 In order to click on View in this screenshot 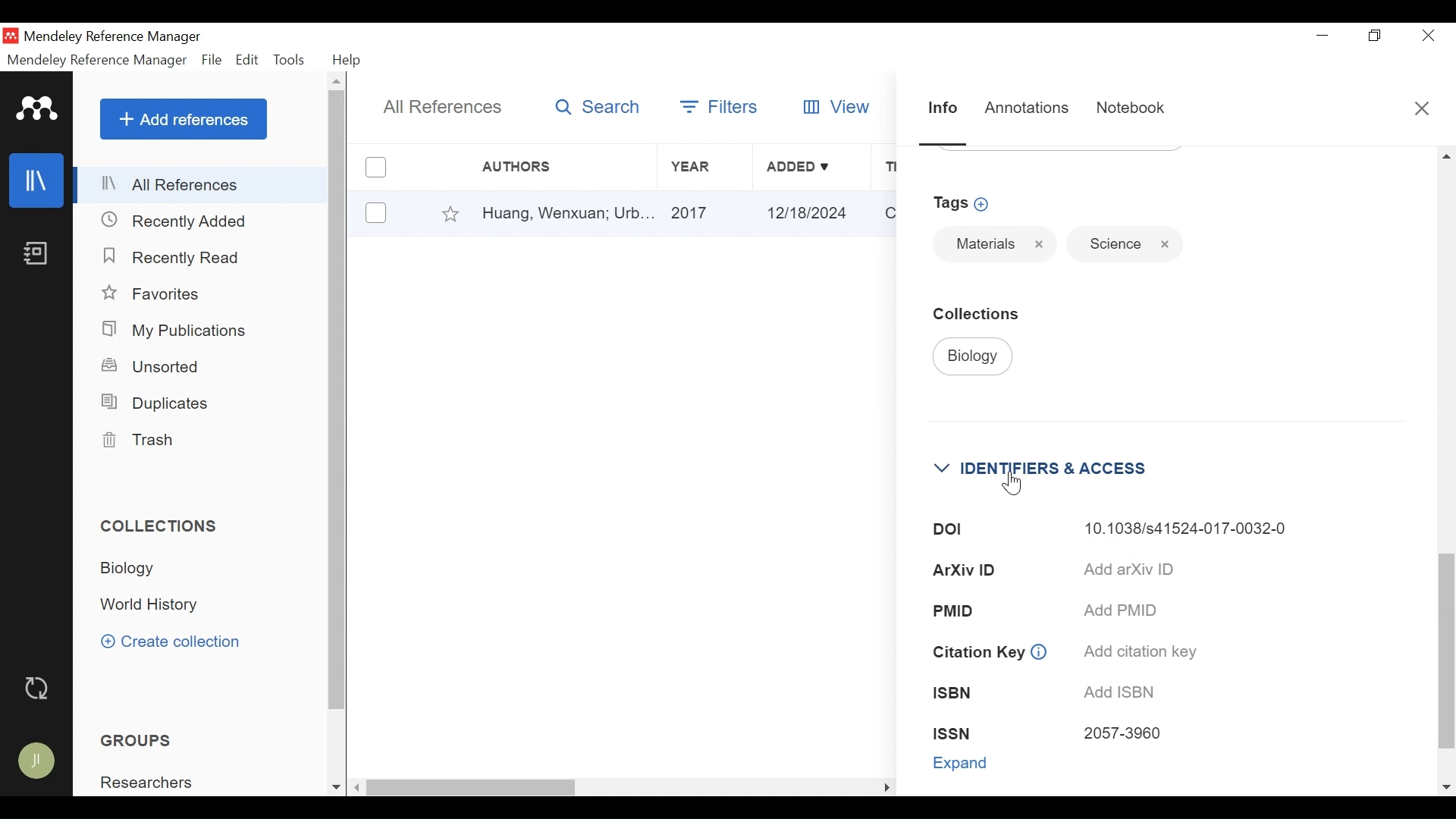, I will do `click(839, 105)`.